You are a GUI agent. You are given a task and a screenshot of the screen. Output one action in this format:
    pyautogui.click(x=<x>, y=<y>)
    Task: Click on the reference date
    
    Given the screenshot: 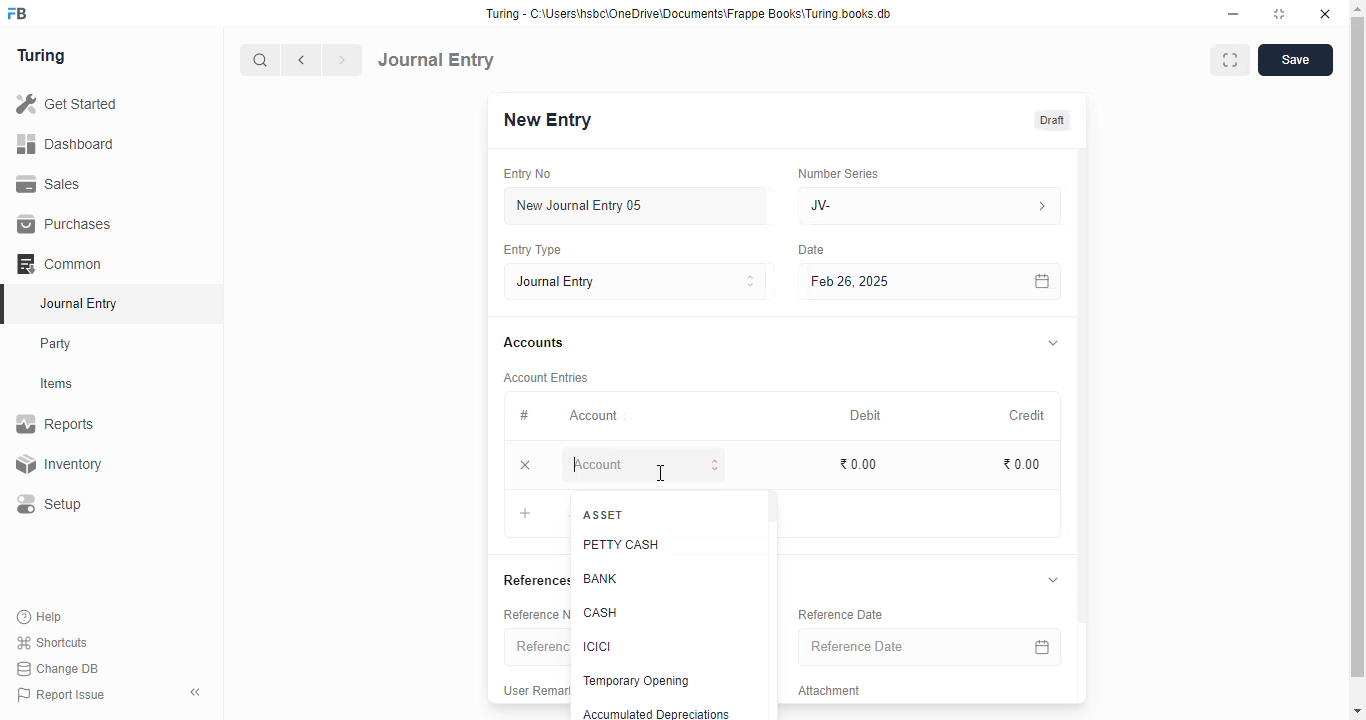 What is the action you would take?
    pyautogui.click(x=898, y=647)
    